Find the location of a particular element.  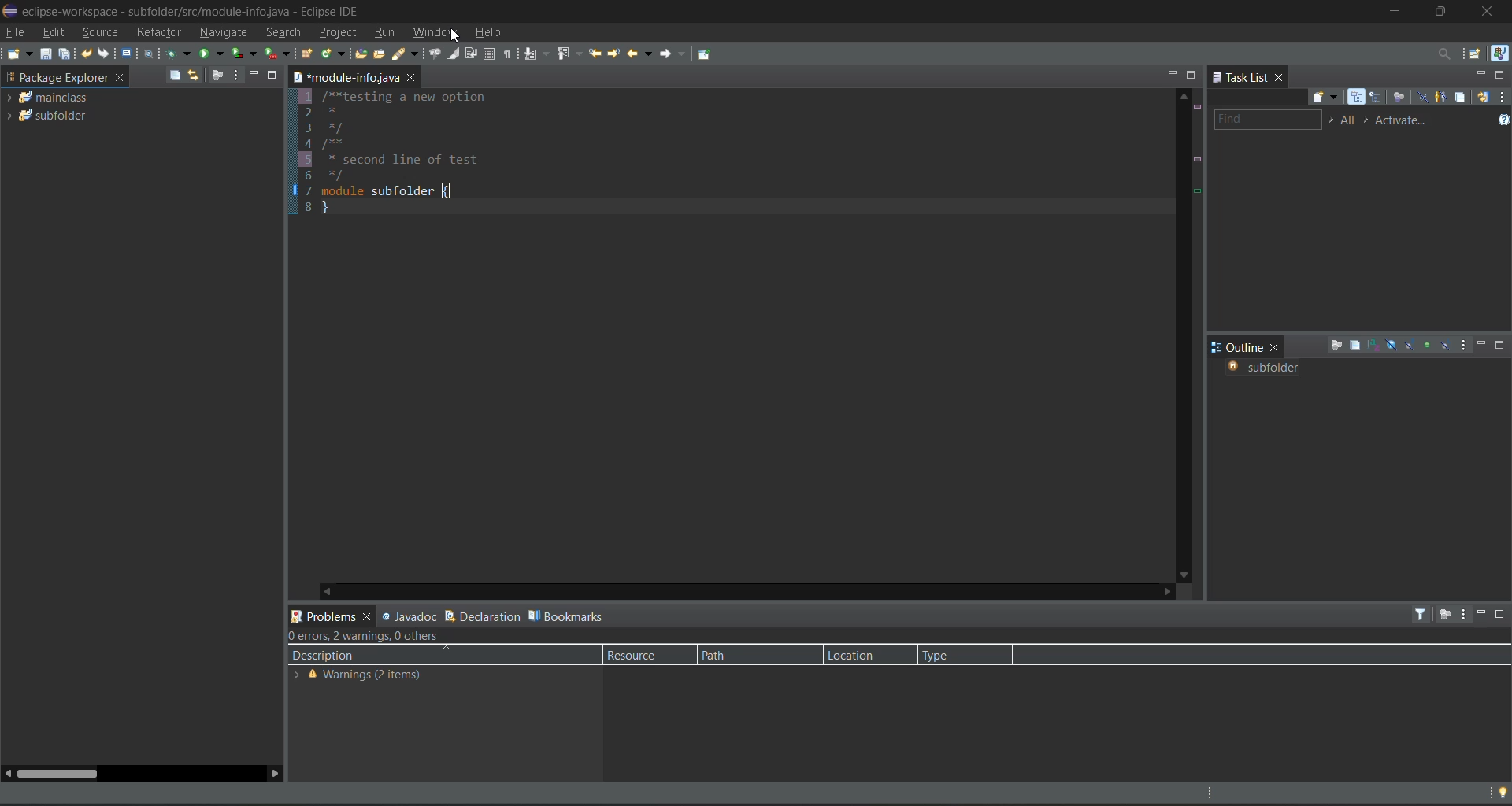

line details is located at coordinates (1200, 178).